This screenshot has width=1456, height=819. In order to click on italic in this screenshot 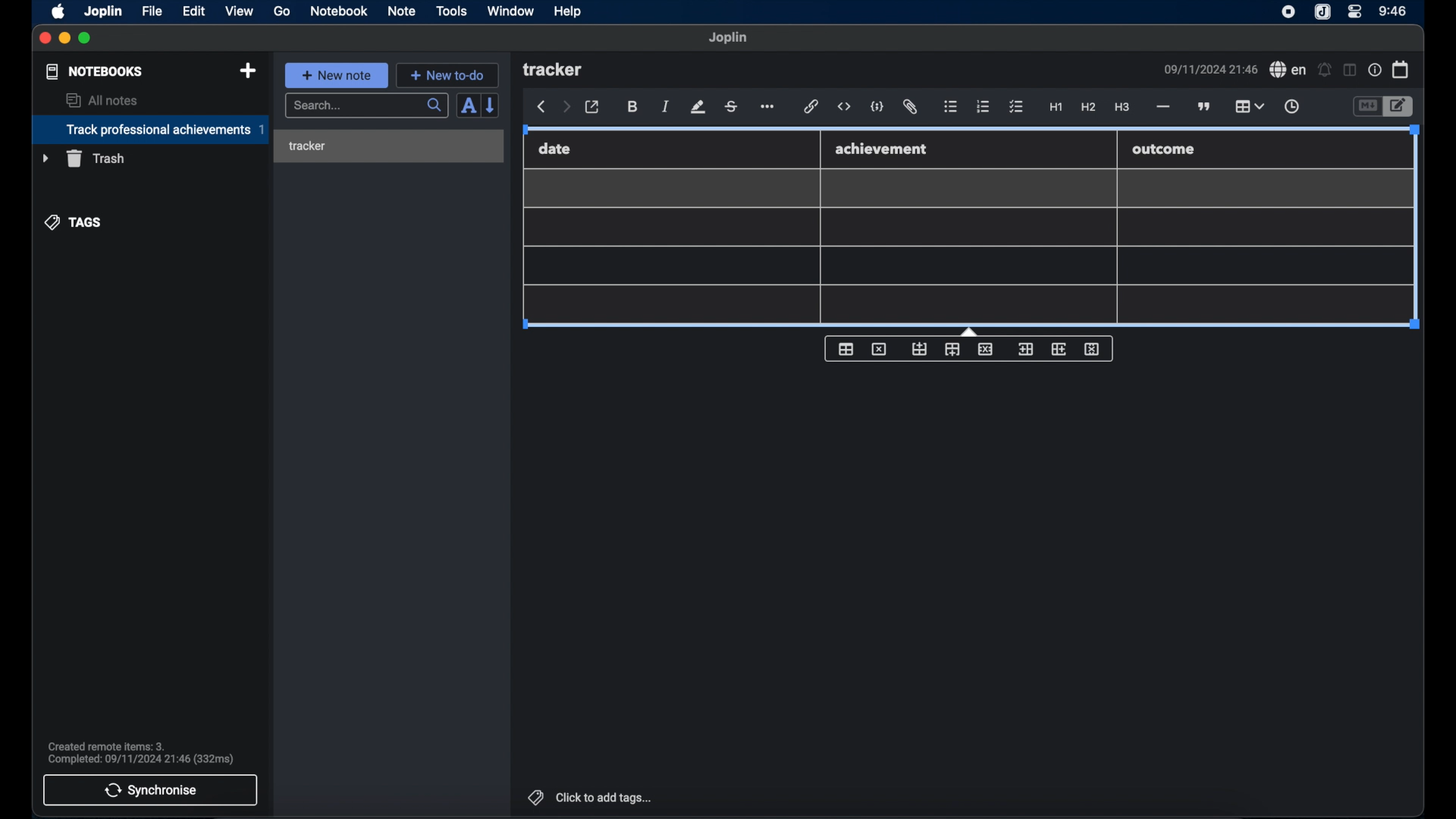, I will do `click(666, 108)`.